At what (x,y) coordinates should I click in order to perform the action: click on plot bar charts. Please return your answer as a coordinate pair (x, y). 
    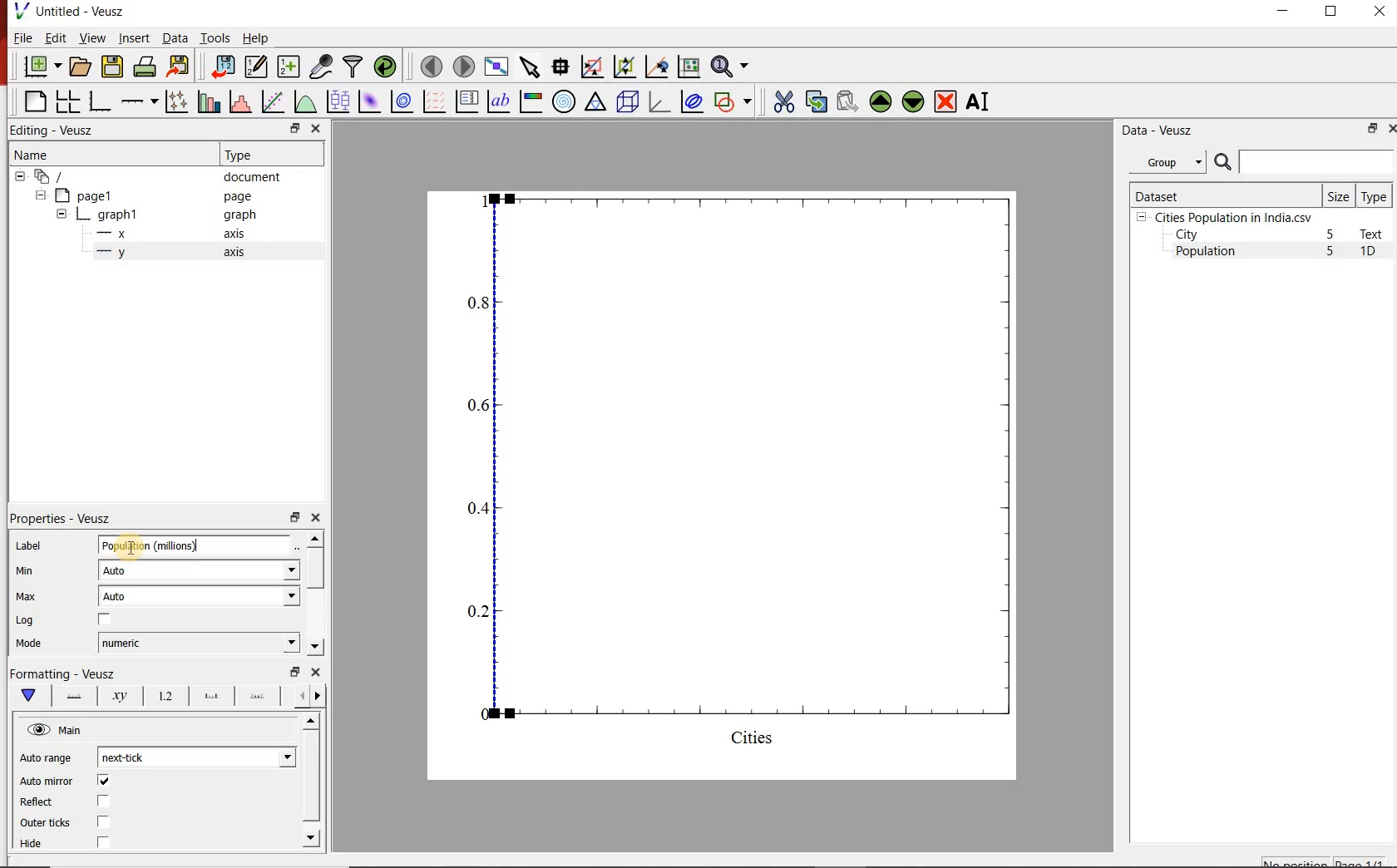
    Looking at the image, I should click on (206, 101).